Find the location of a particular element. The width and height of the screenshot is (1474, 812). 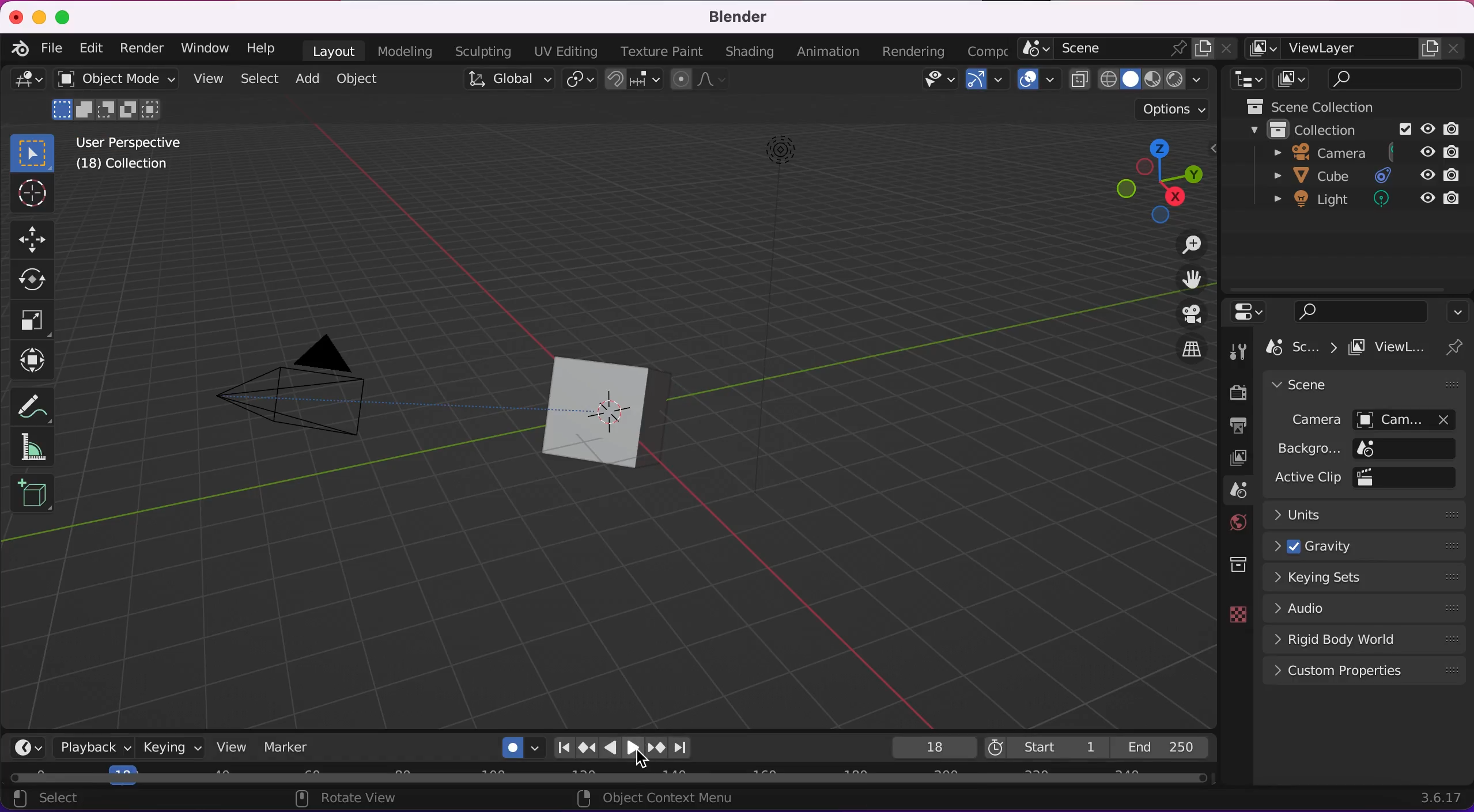

rotate view is located at coordinates (347, 799).